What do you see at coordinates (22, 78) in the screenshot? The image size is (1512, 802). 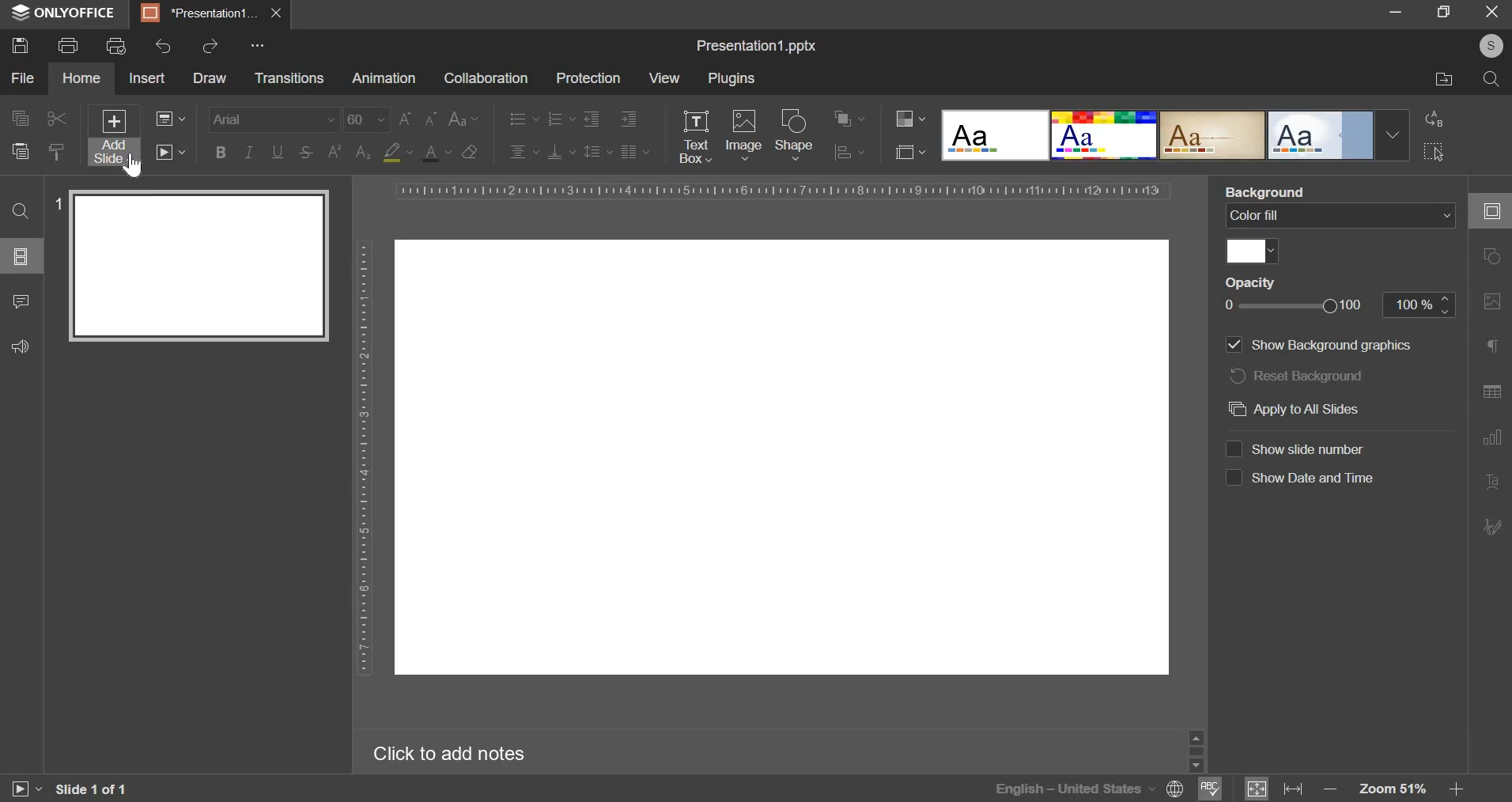 I see `file` at bounding box center [22, 78].